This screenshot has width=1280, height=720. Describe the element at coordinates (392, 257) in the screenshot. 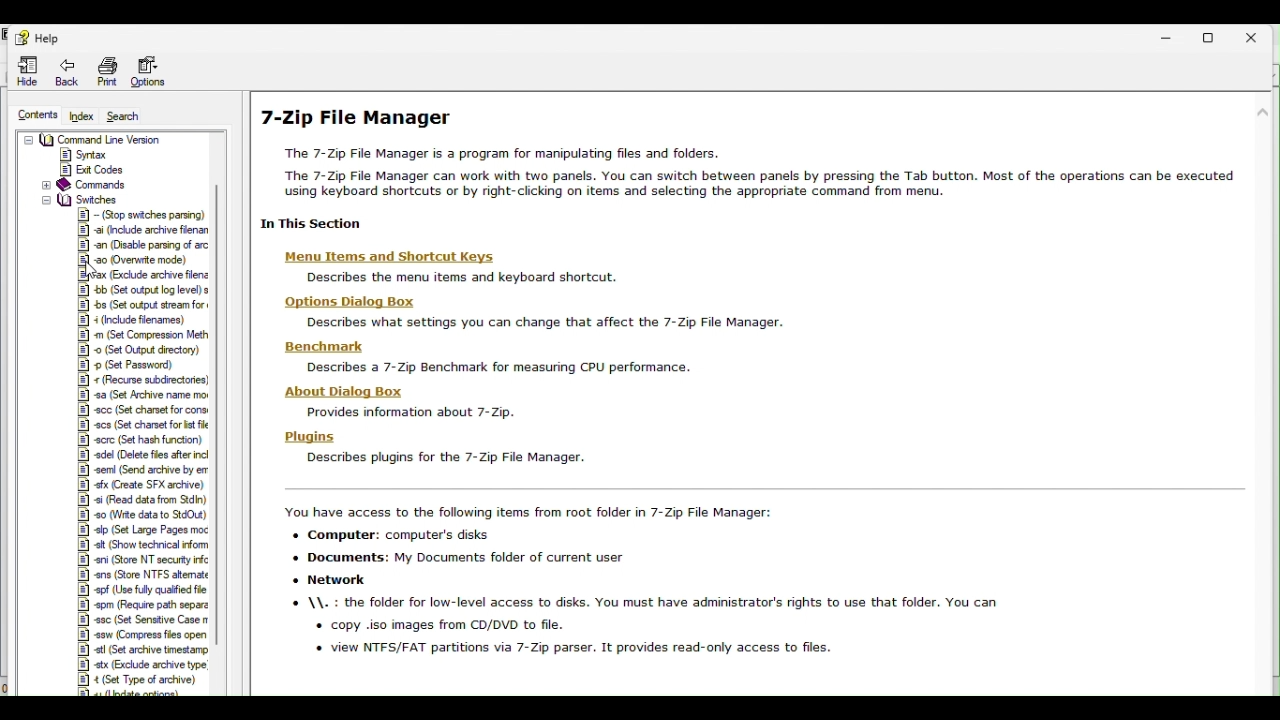

I see `| Menu ltems and Shortcut Keys` at that location.